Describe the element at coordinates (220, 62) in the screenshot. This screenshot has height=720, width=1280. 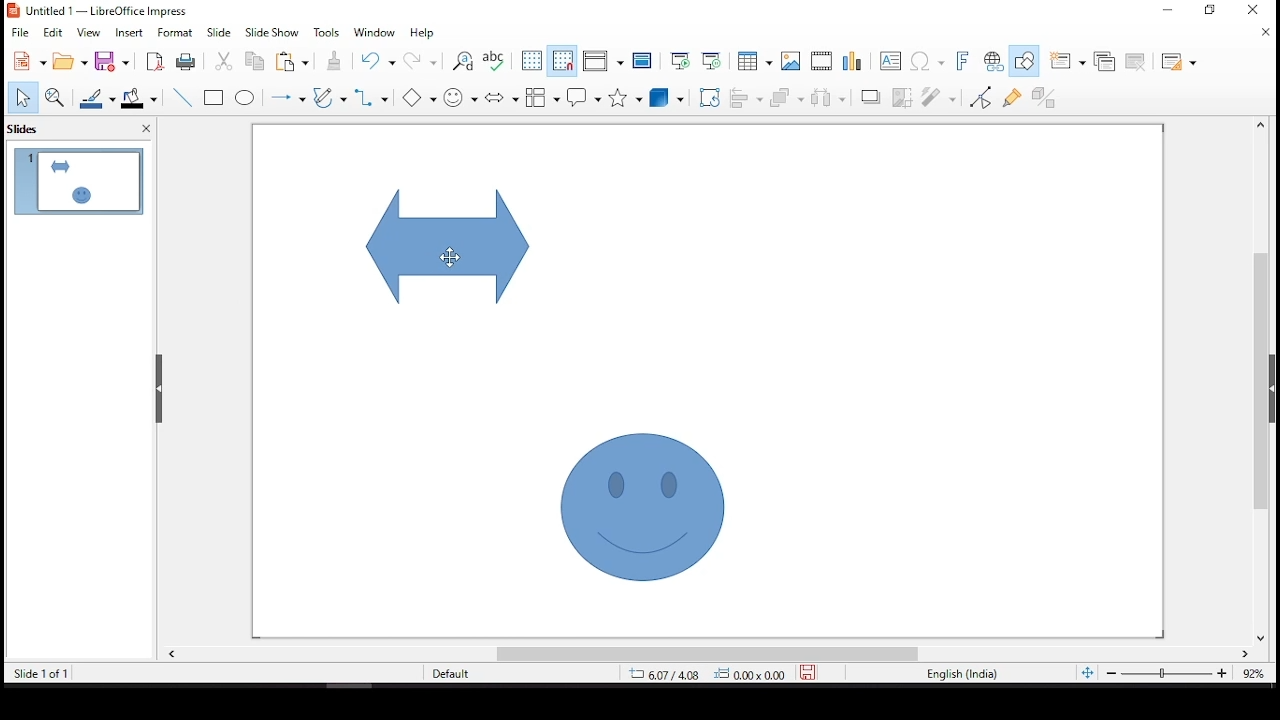
I see `cut` at that location.